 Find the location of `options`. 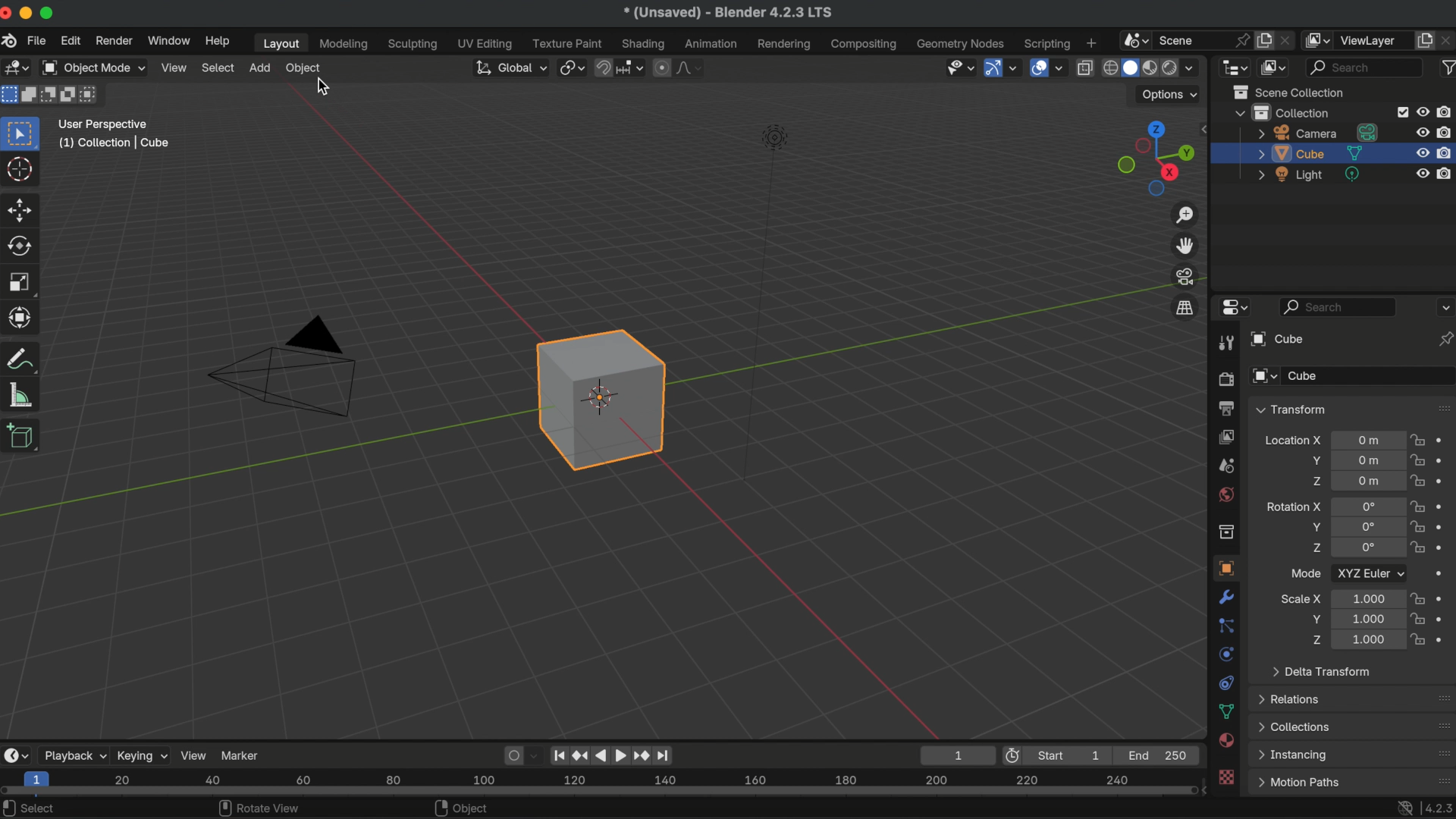

options is located at coordinates (1171, 95).